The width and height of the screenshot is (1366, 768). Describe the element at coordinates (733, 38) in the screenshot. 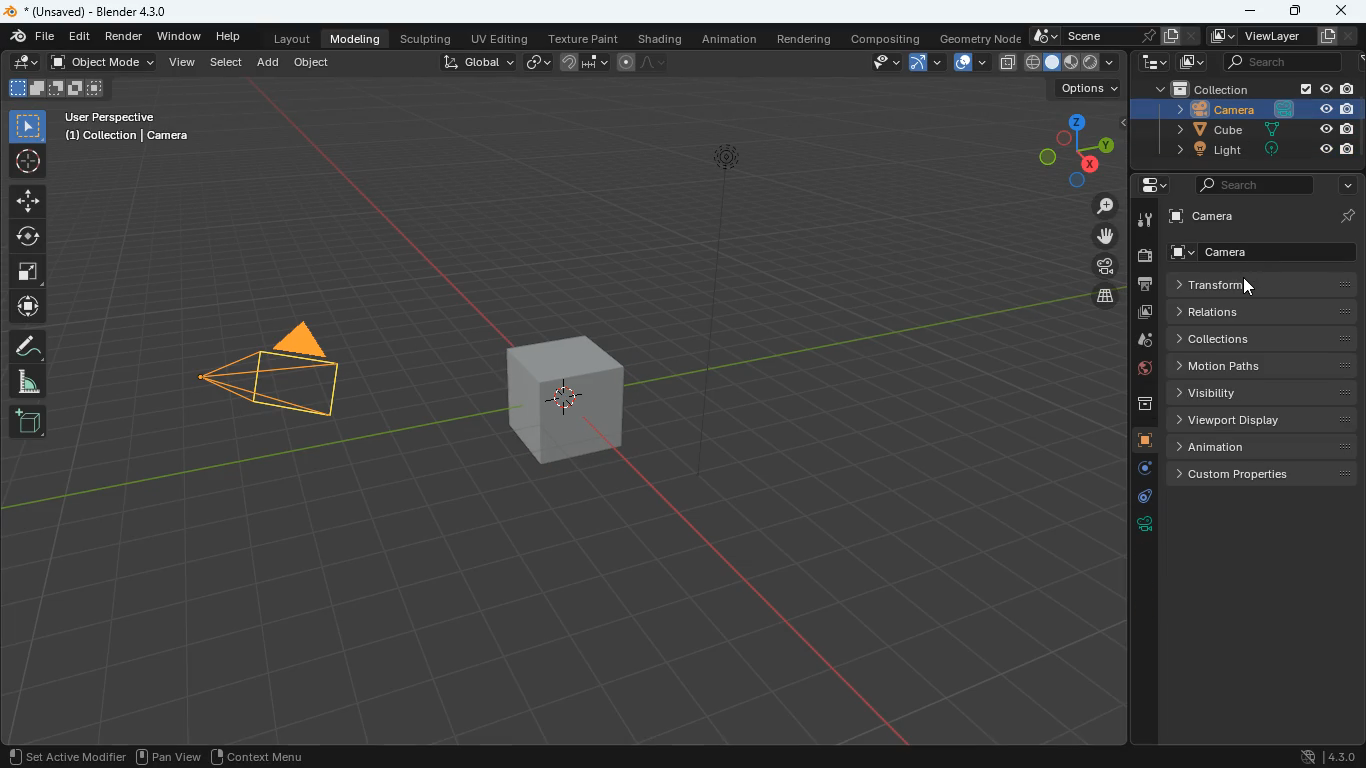

I see `animation` at that location.